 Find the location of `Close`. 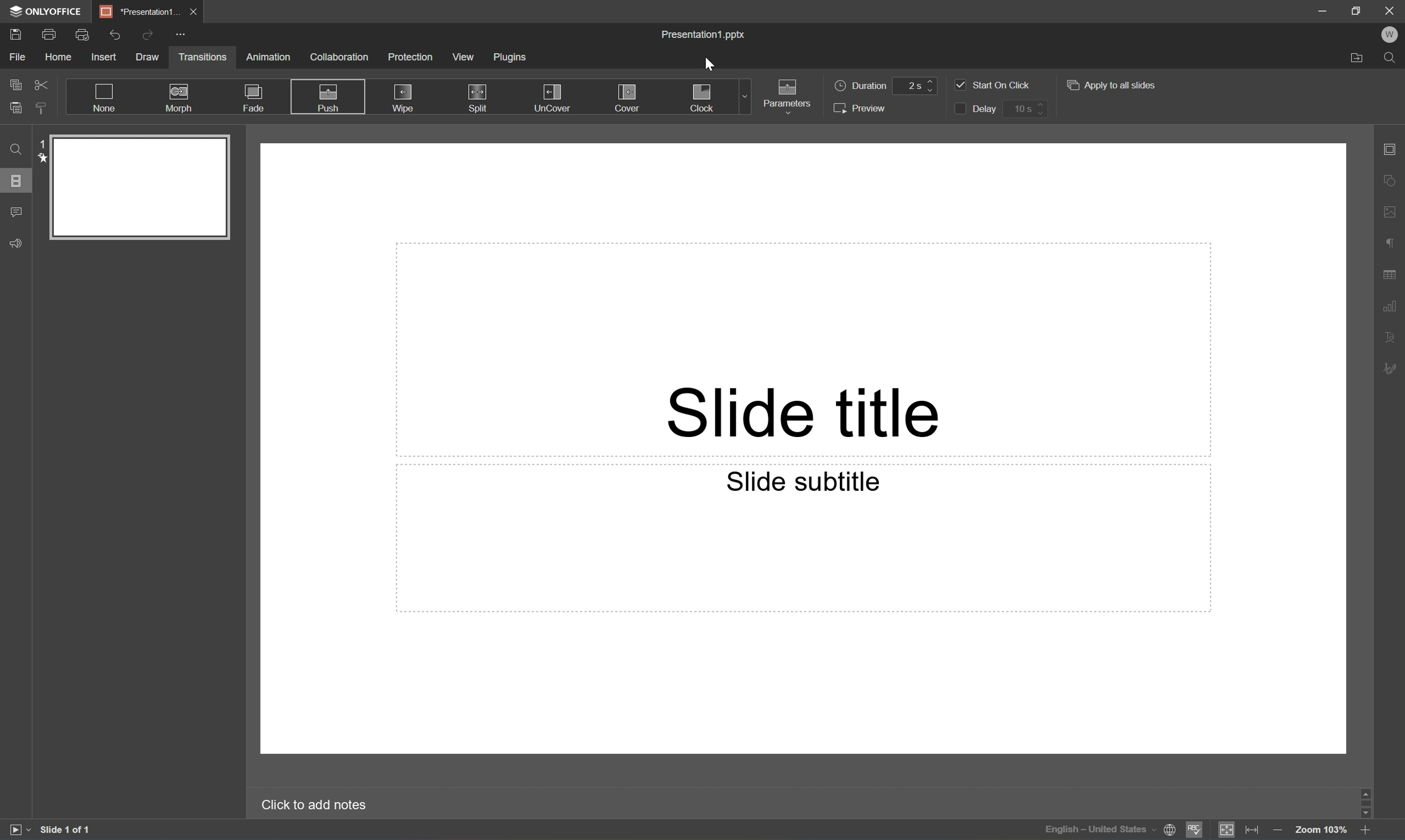

Close is located at coordinates (194, 11).